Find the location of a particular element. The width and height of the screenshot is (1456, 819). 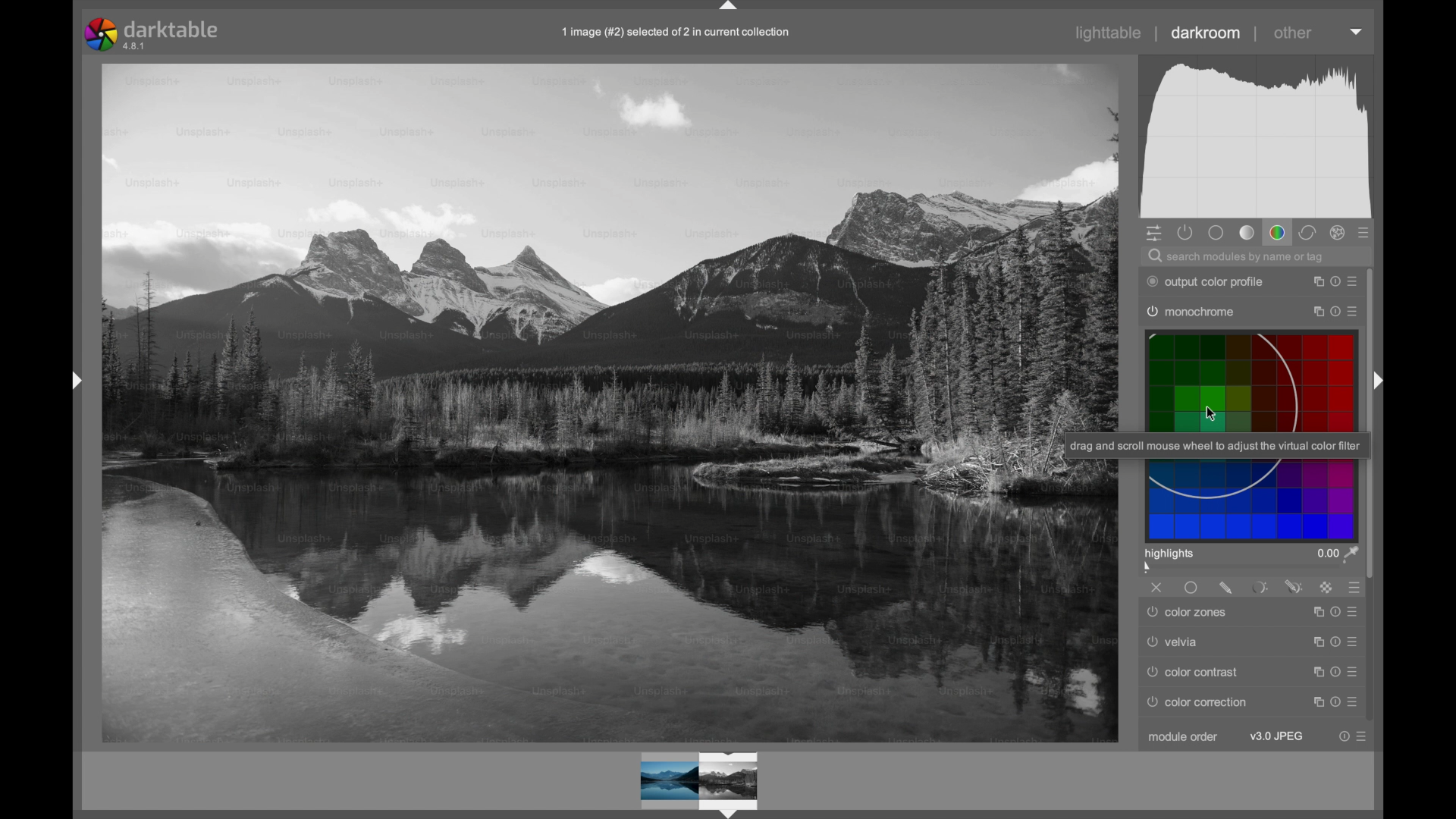

darkroom is located at coordinates (1206, 33).